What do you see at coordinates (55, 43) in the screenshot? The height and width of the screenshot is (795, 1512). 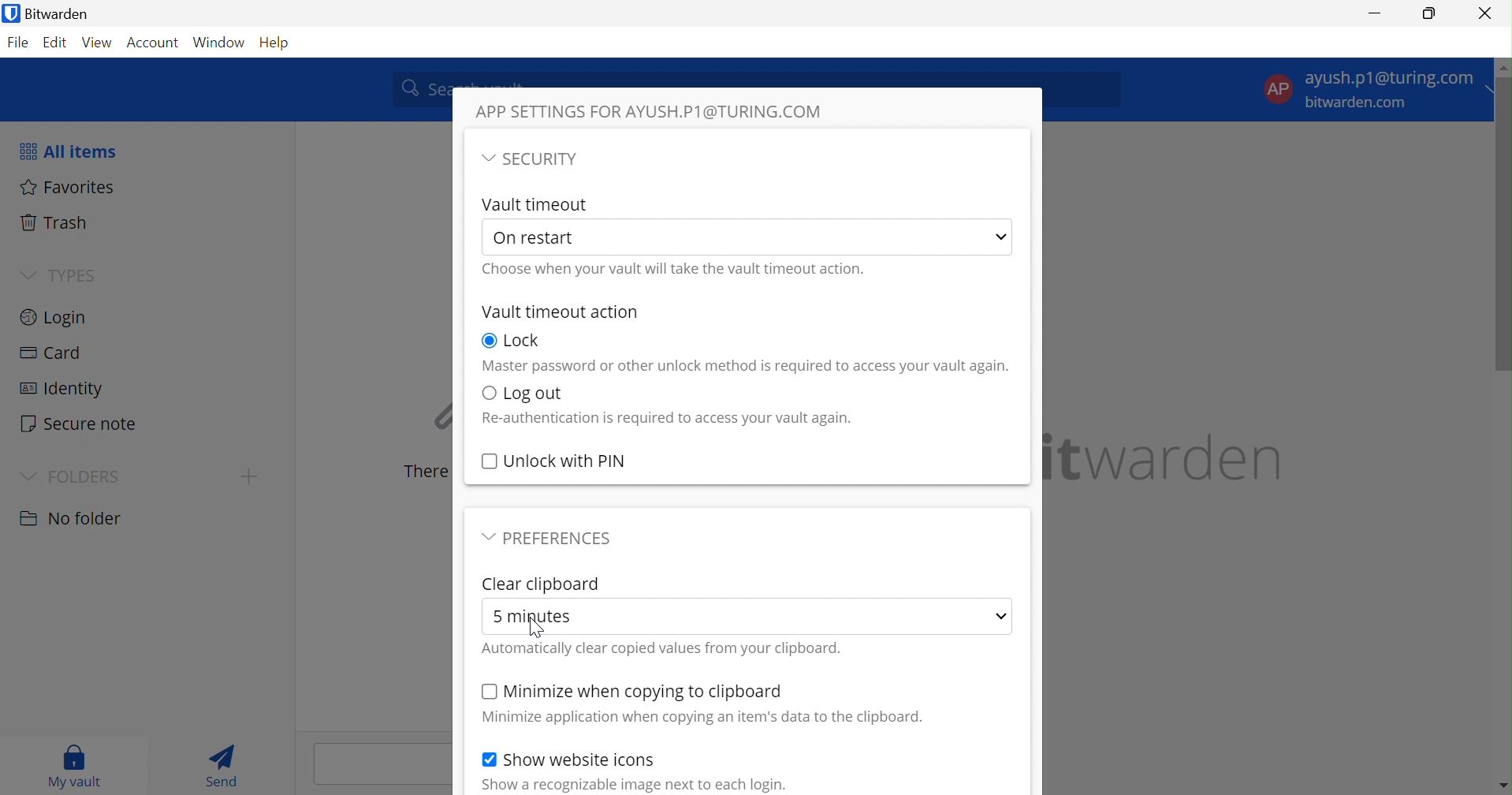 I see `Edit` at bounding box center [55, 43].